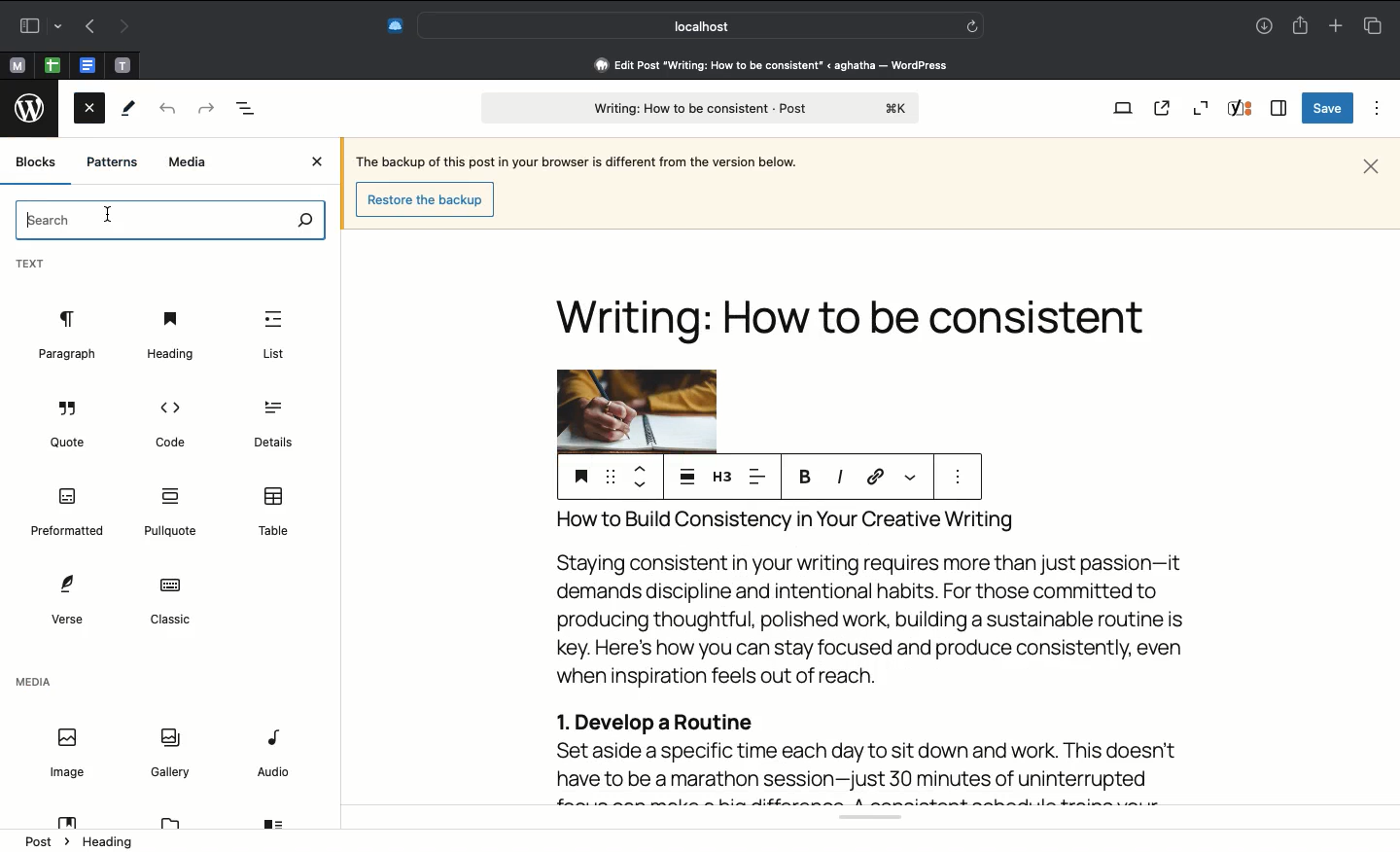  I want to click on Media, so click(33, 685).